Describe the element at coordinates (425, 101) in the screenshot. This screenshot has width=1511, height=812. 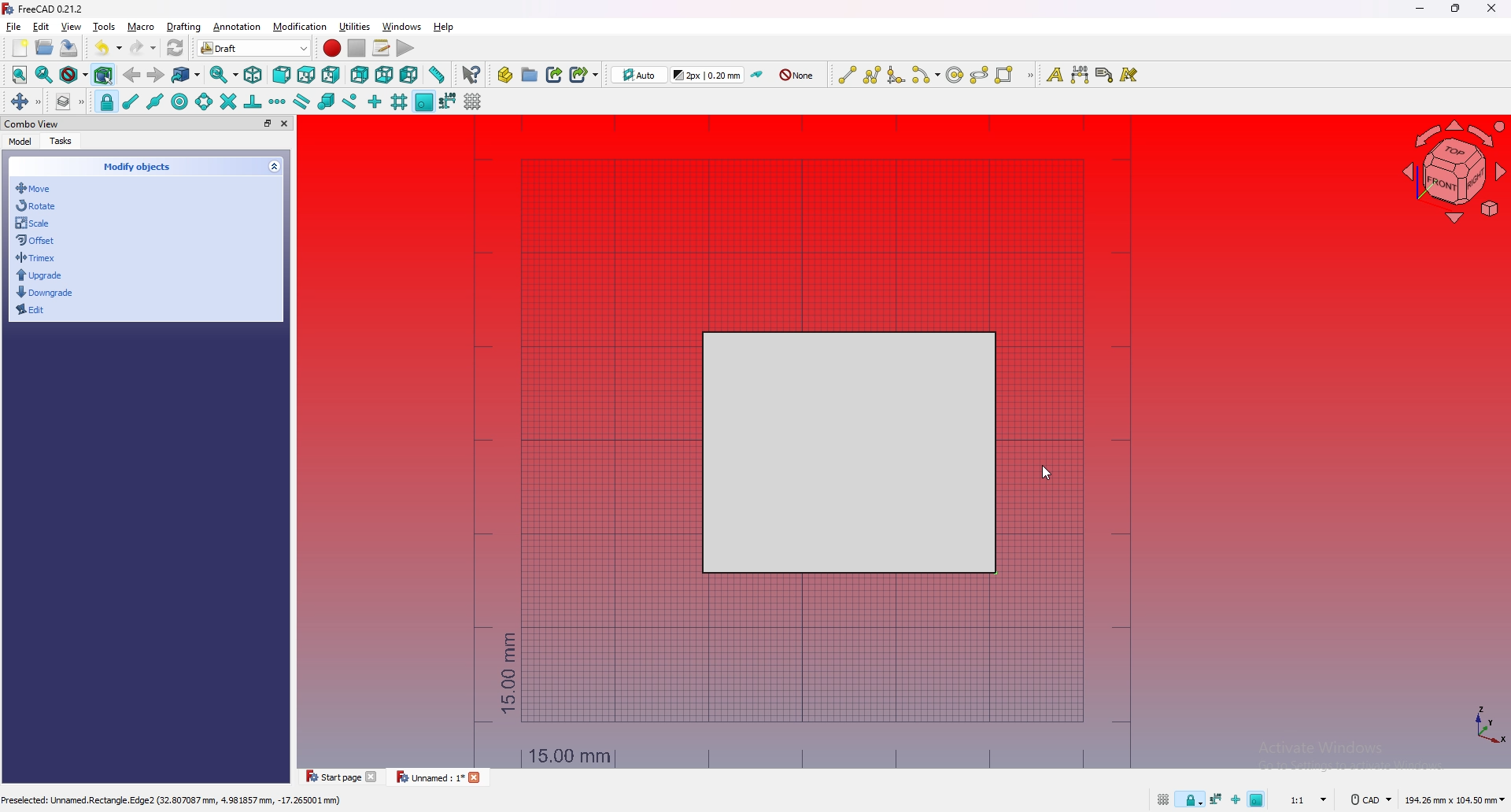
I see `snap working plane` at that location.